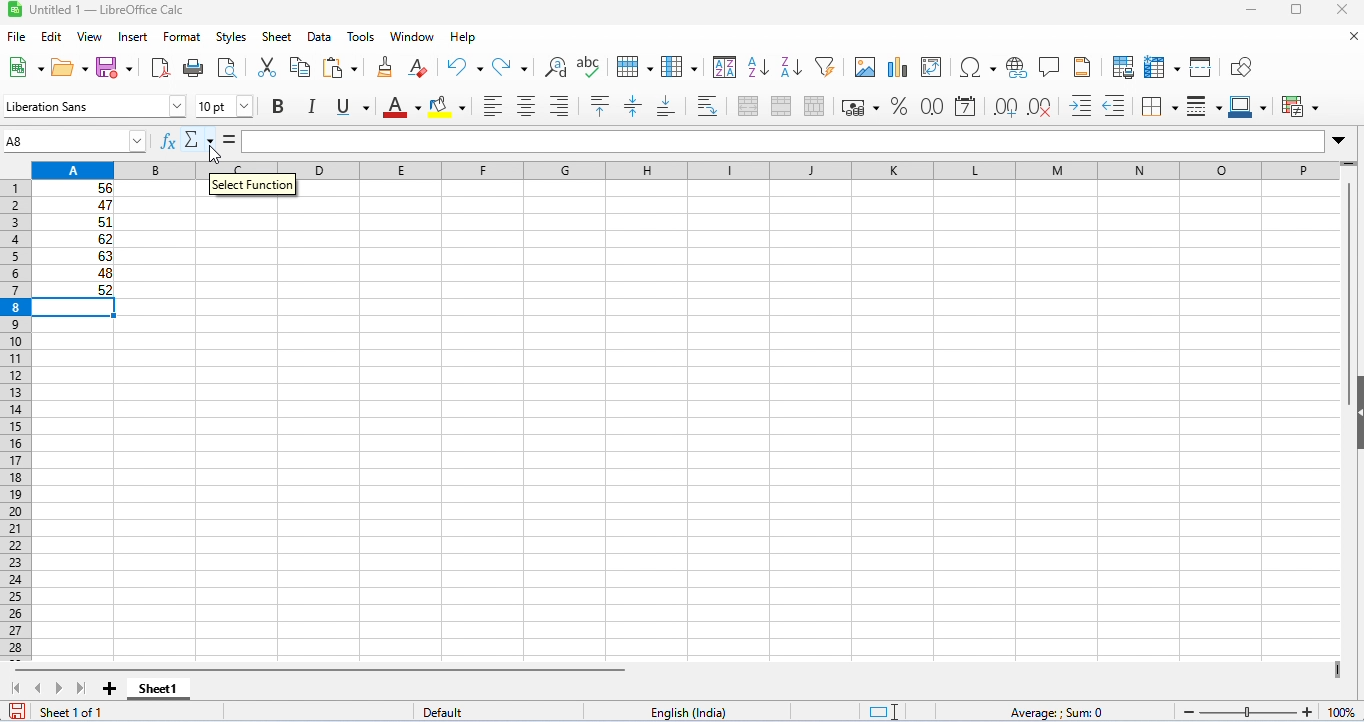  Describe the element at coordinates (493, 106) in the screenshot. I see `align left` at that location.